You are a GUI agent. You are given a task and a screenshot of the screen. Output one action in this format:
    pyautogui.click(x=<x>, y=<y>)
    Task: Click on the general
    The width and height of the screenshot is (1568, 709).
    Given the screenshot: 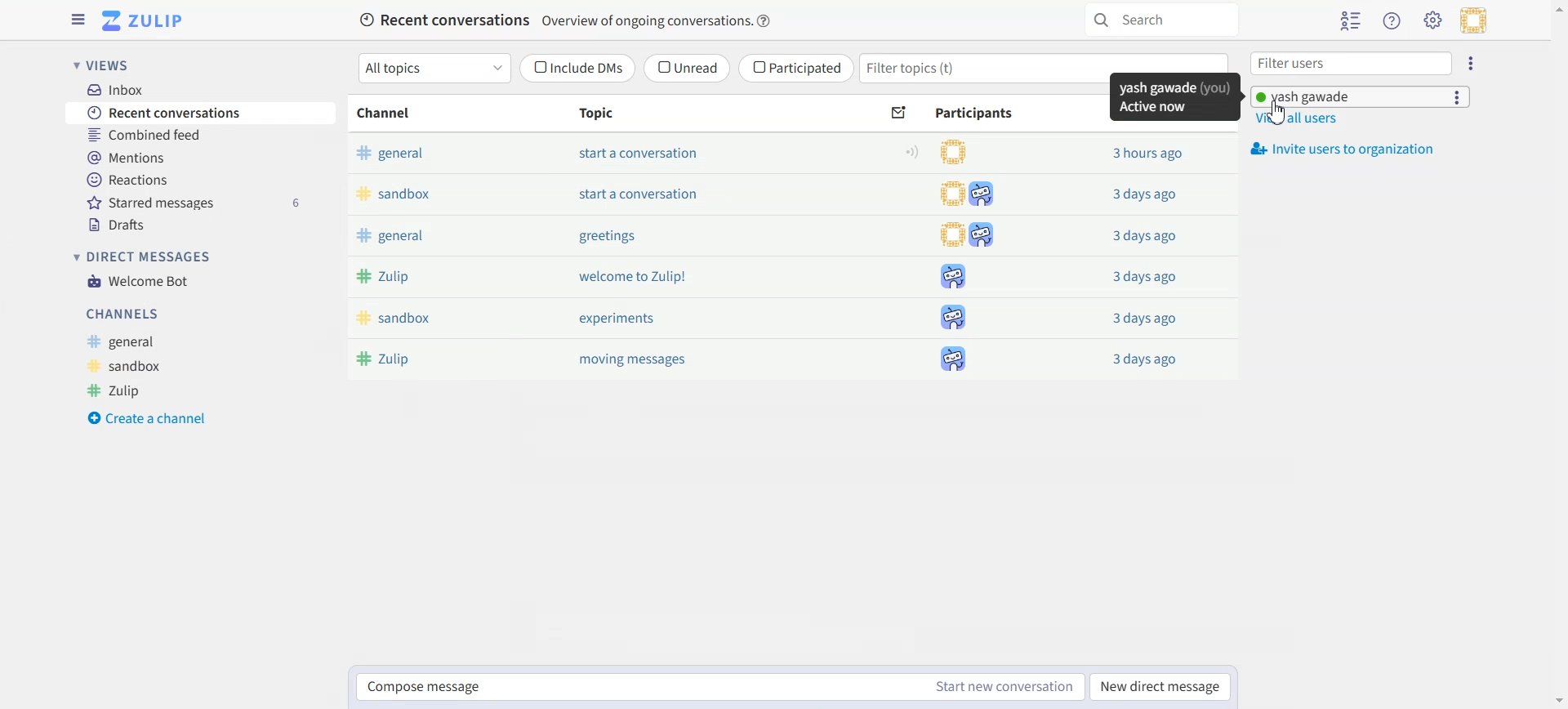 What is the action you would take?
    pyautogui.click(x=391, y=157)
    